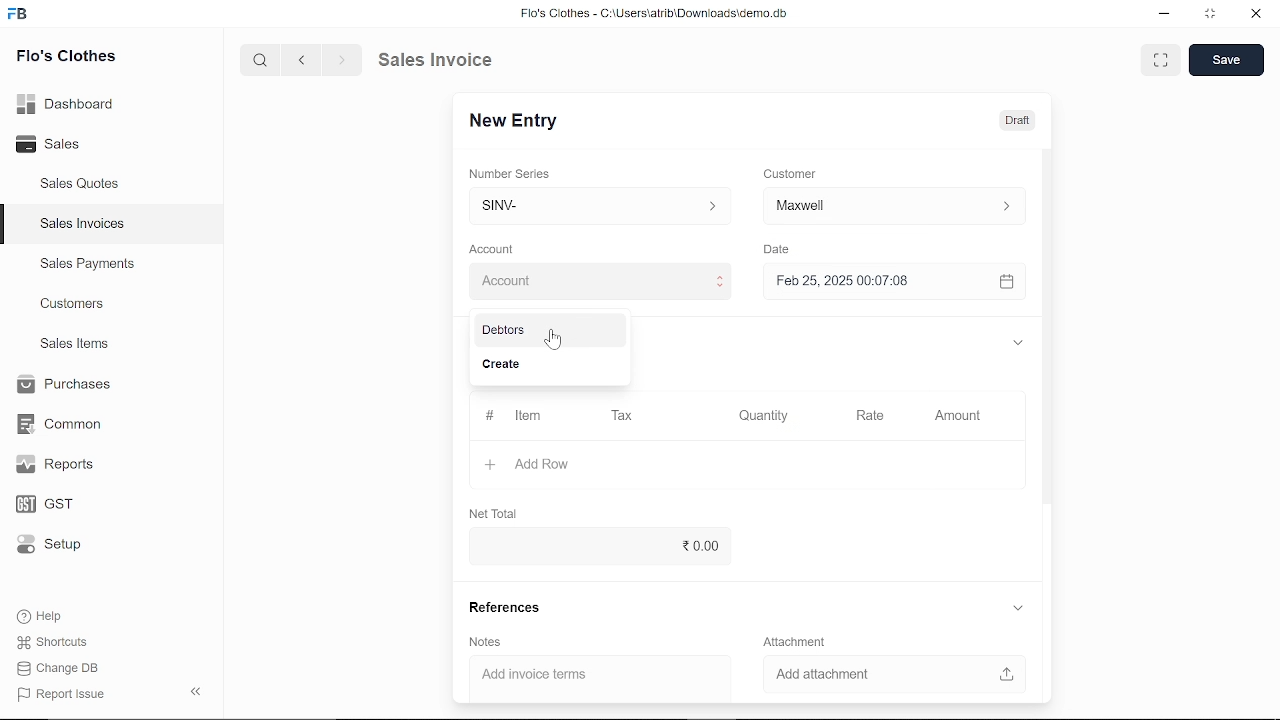 The image size is (1280, 720). Describe the element at coordinates (82, 186) in the screenshot. I see `Sales Quotes` at that location.